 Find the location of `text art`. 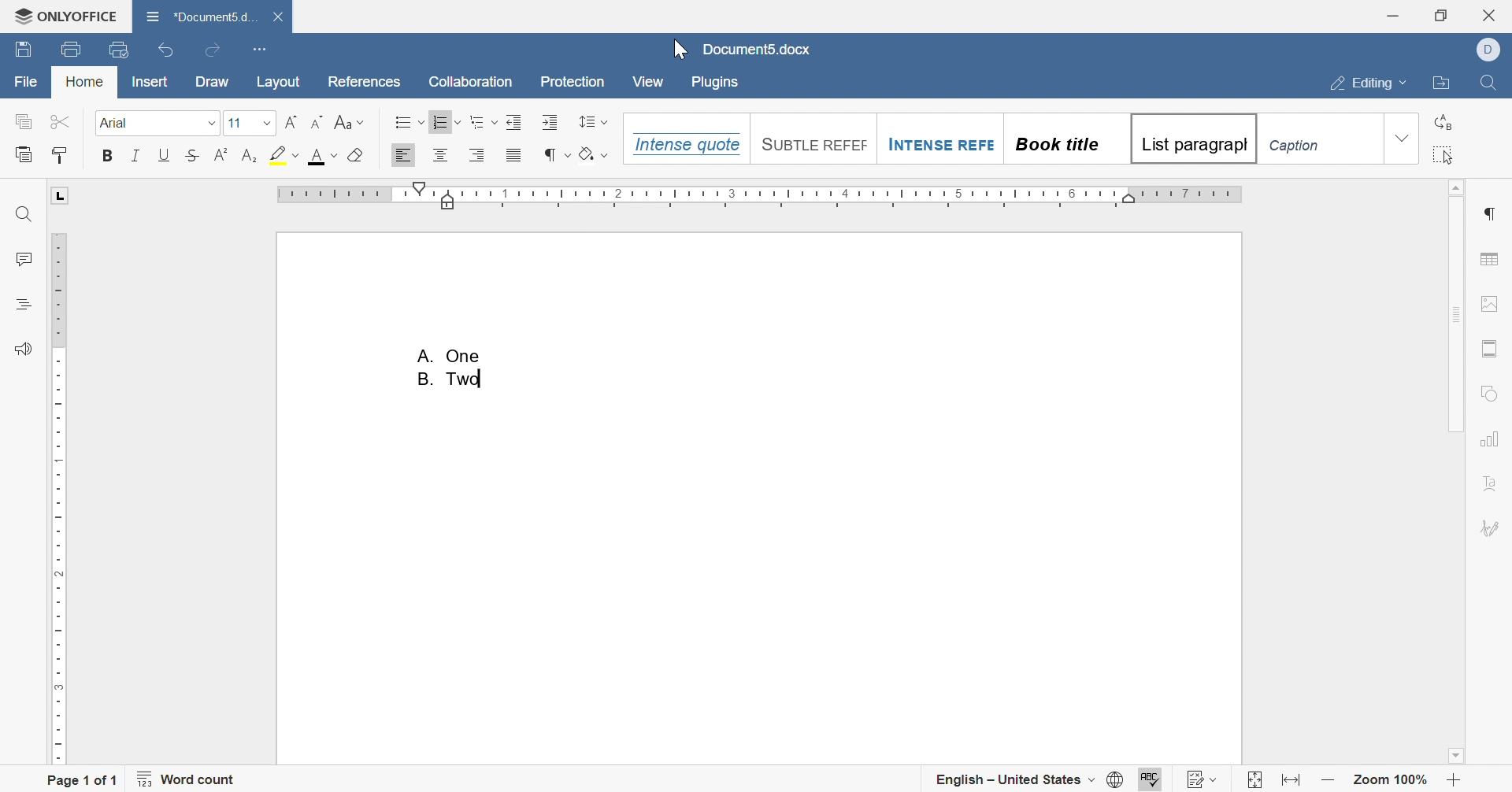

text art is located at coordinates (1491, 483).